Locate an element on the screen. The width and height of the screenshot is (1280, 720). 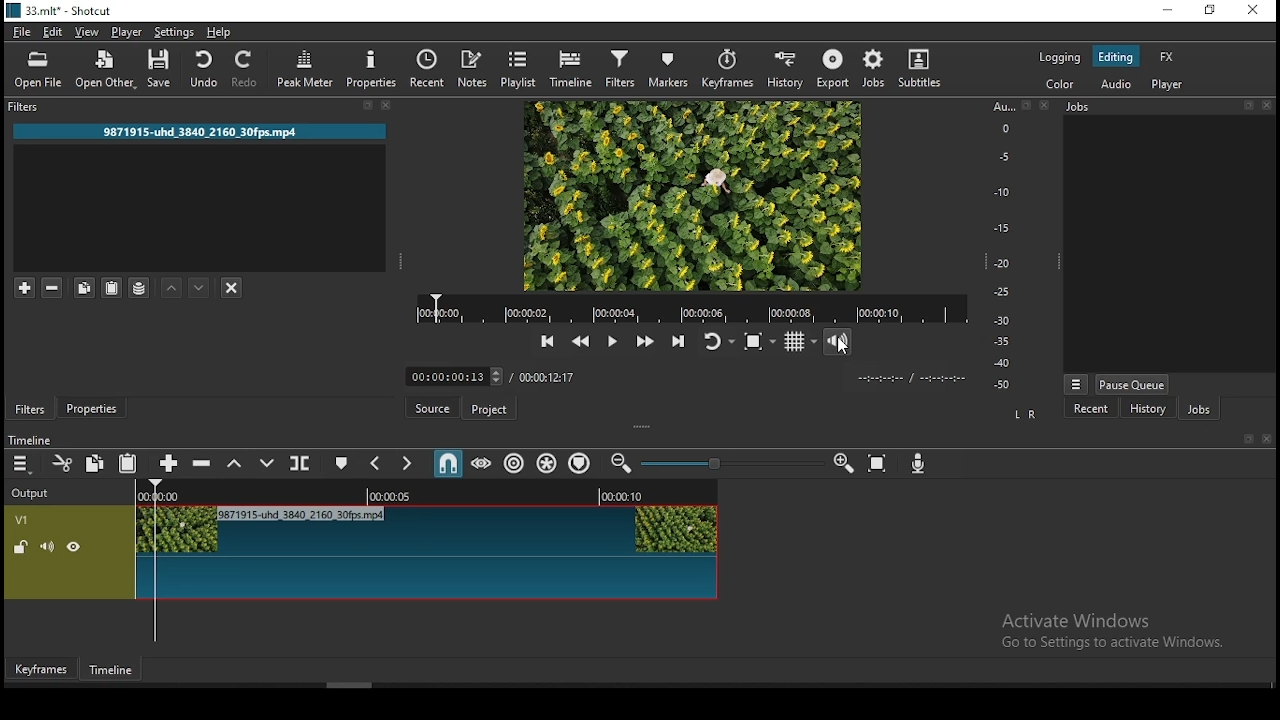
view more is located at coordinates (1077, 382).